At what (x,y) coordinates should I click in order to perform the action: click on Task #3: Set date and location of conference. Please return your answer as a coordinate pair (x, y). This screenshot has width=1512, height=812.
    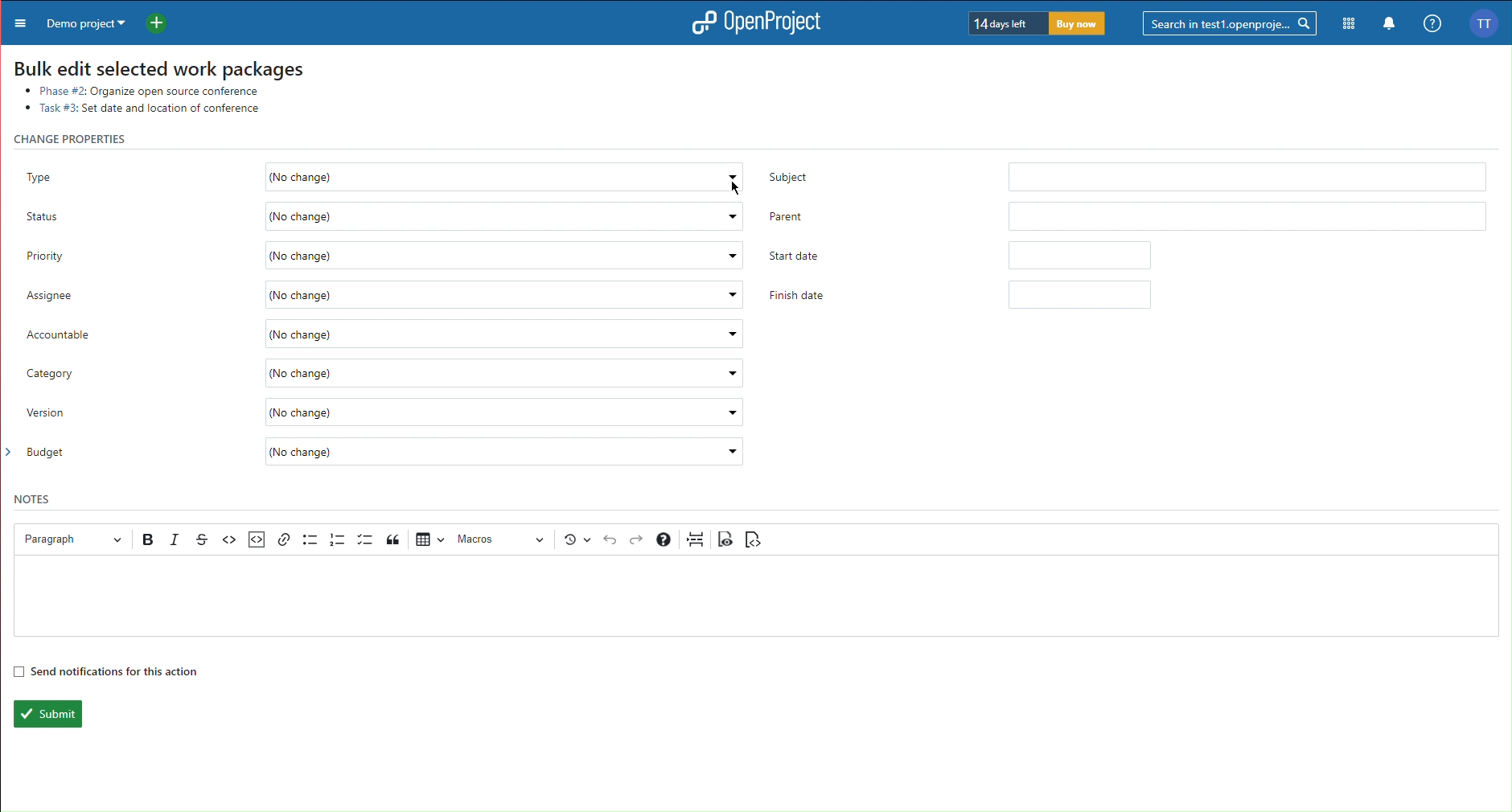
    Looking at the image, I should click on (146, 109).